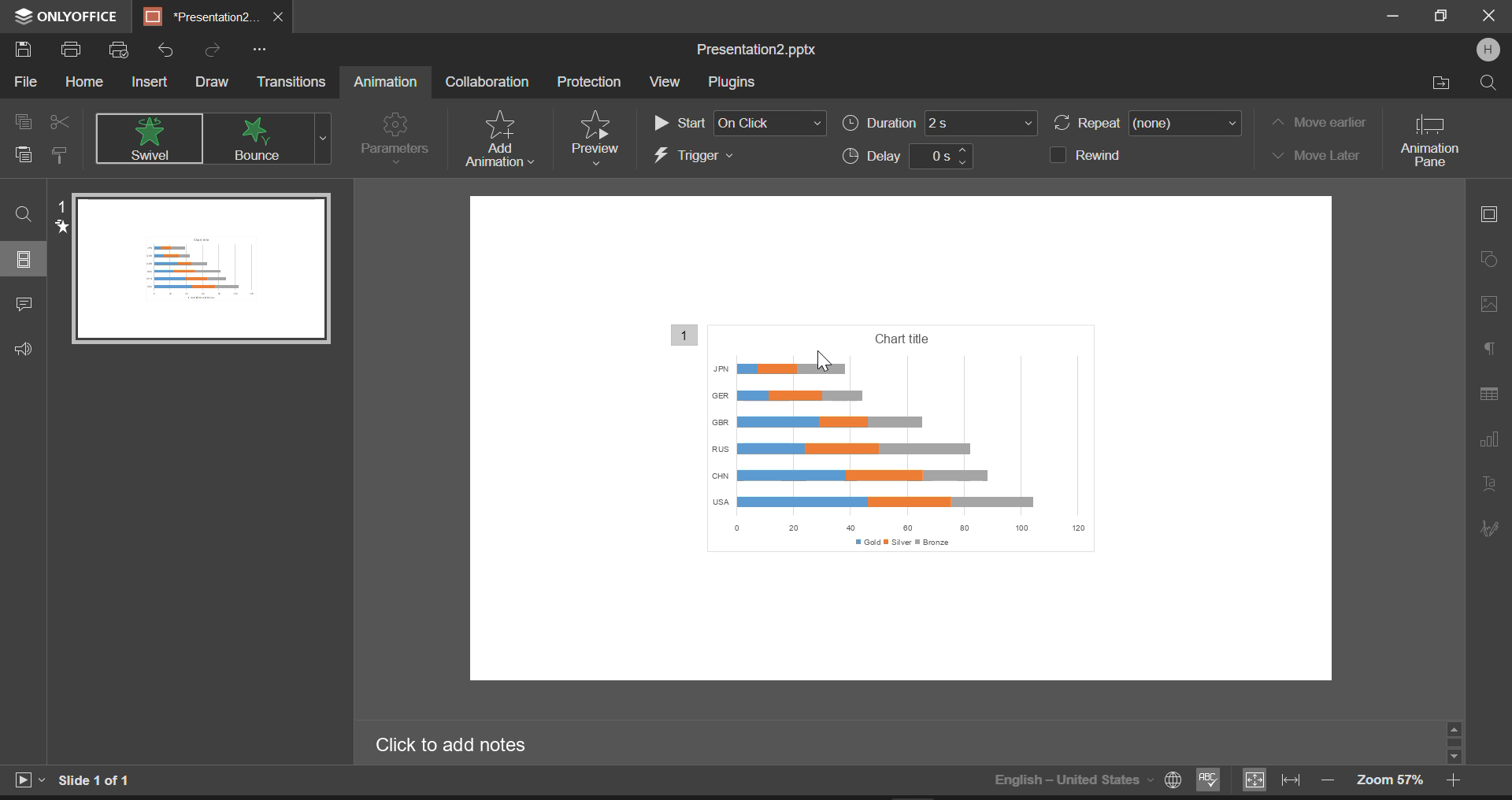 This screenshot has width=1512, height=800. What do you see at coordinates (1488, 486) in the screenshot?
I see `Text Art Settings` at bounding box center [1488, 486].